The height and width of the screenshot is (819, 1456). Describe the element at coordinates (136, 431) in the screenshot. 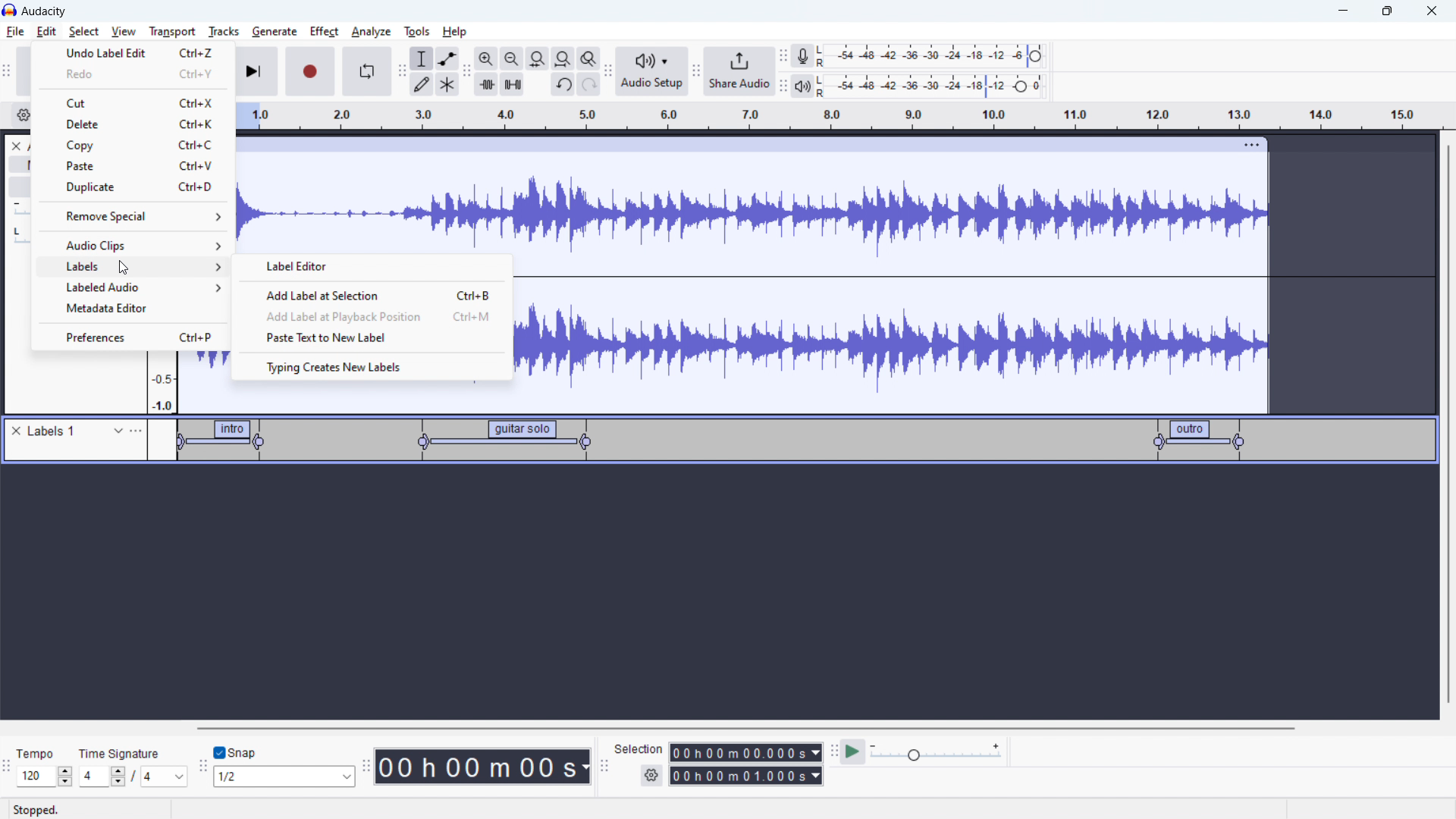

I see `labels options` at that location.